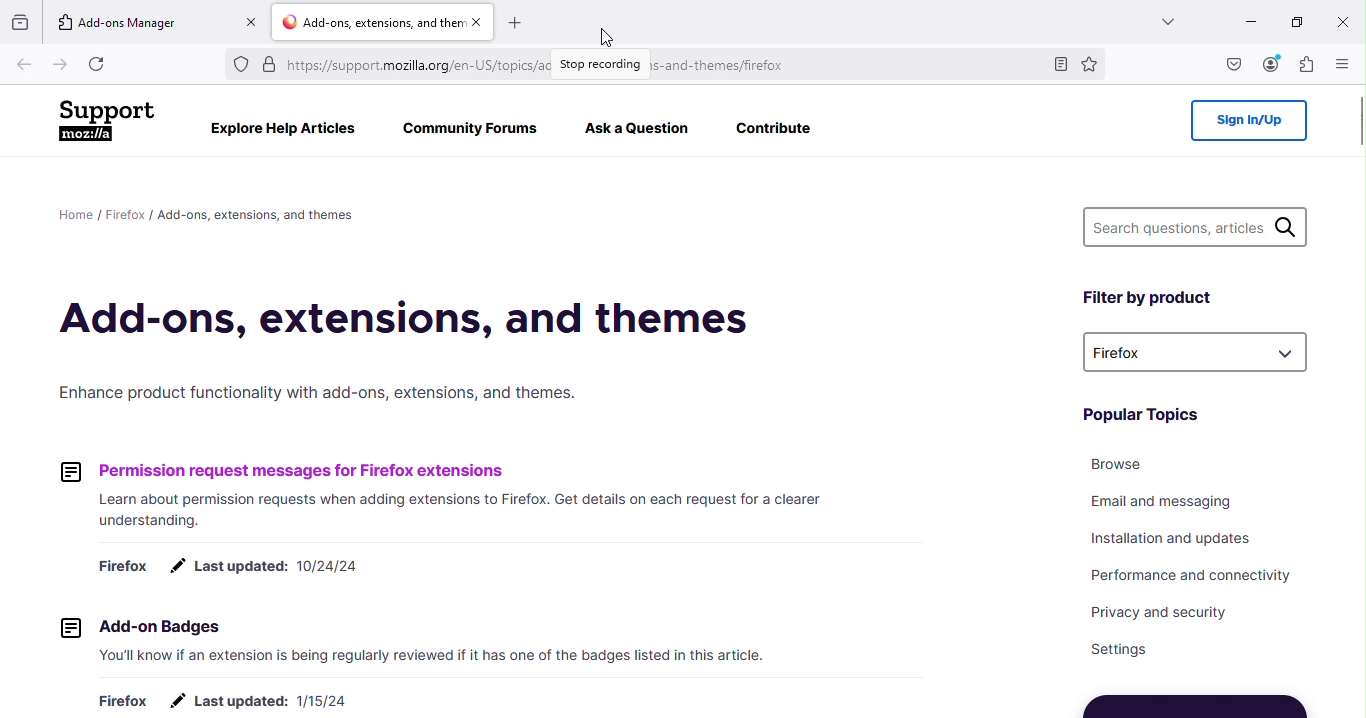 This screenshot has width=1366, height=718. I want to click on Permission request messages for Firefox extensions, so click(304, 467).